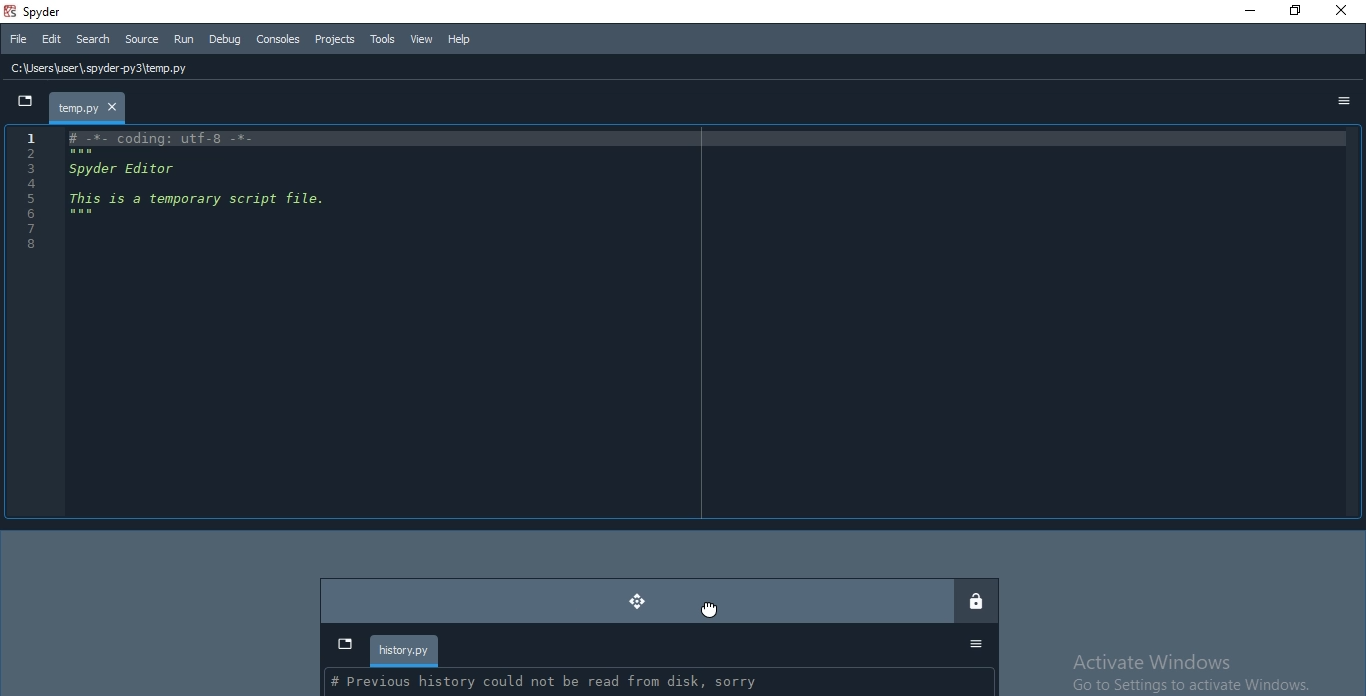  What do you see at coordinates (110, 70) in the screenshot?
I see `C:\Users\user\, spyder py3\temp.py` at bounding box center [110, 70].